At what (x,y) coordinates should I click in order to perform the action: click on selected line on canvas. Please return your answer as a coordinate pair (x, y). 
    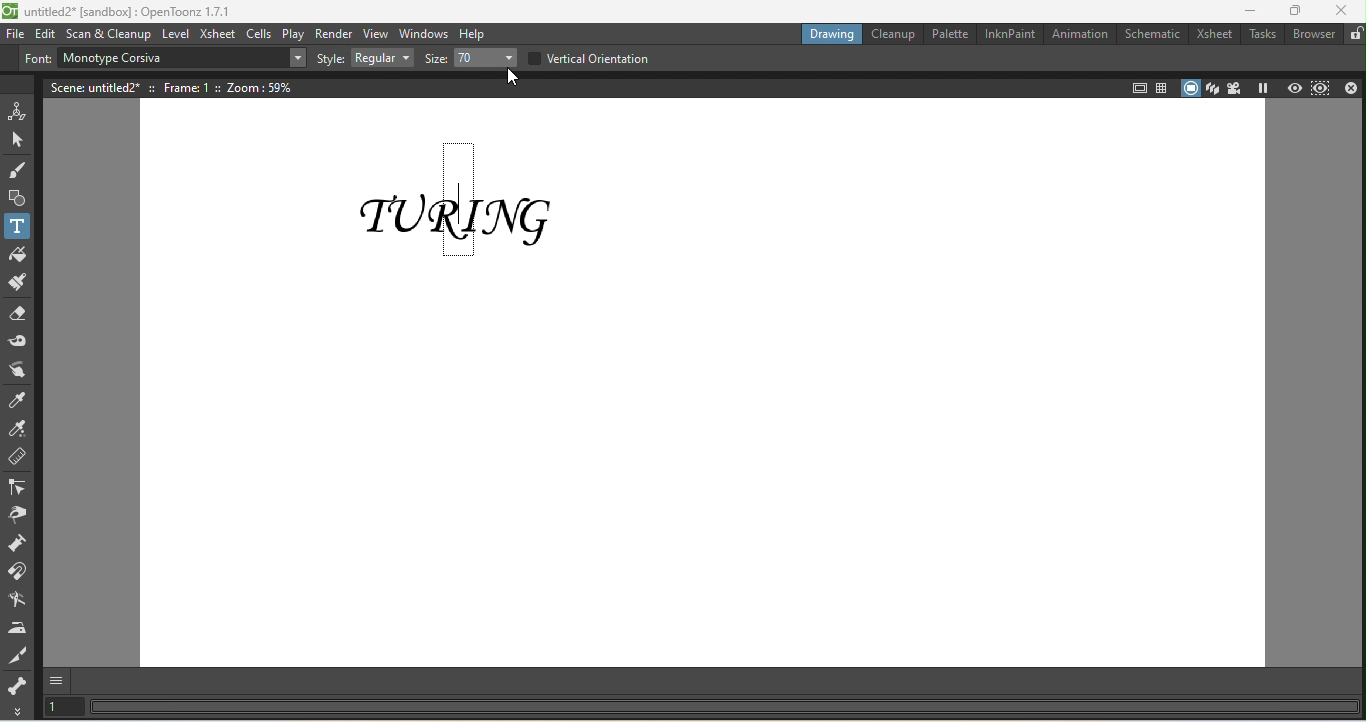
    Looking at the image, I should click on (459, 198).